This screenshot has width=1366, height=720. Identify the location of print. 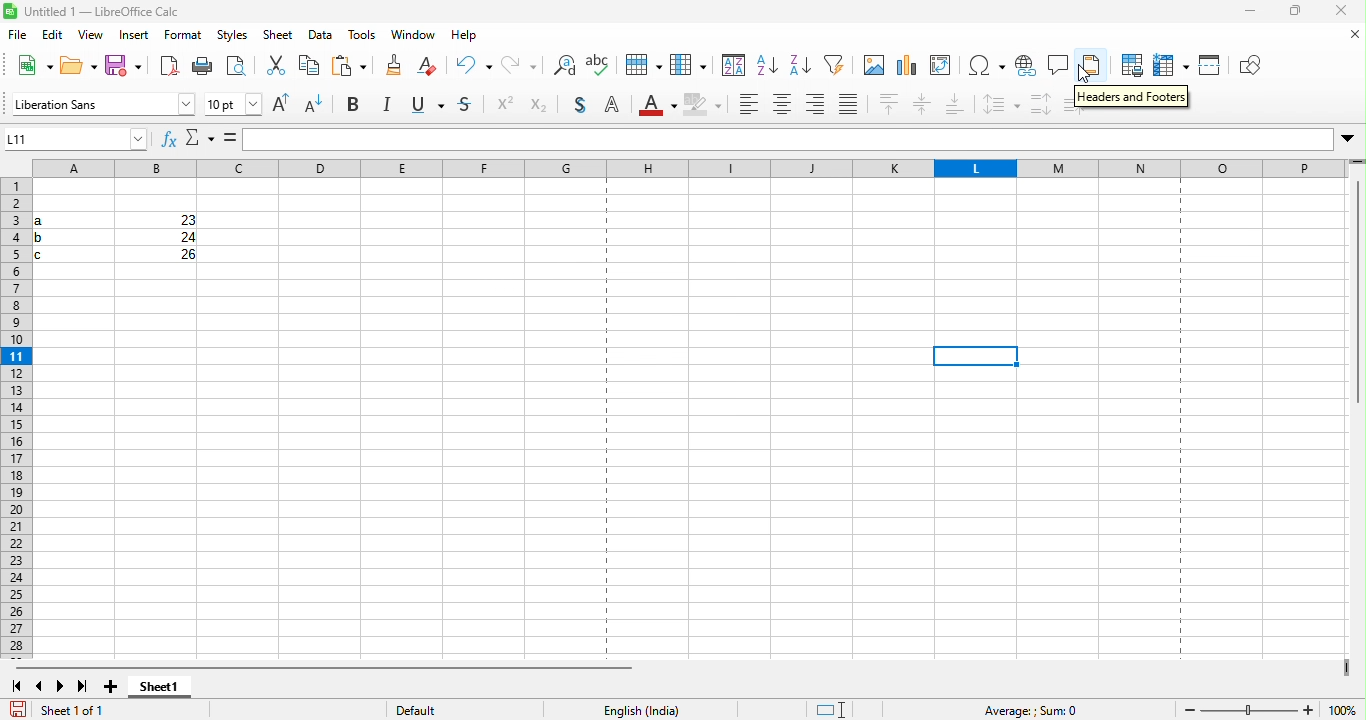
(200, 68).